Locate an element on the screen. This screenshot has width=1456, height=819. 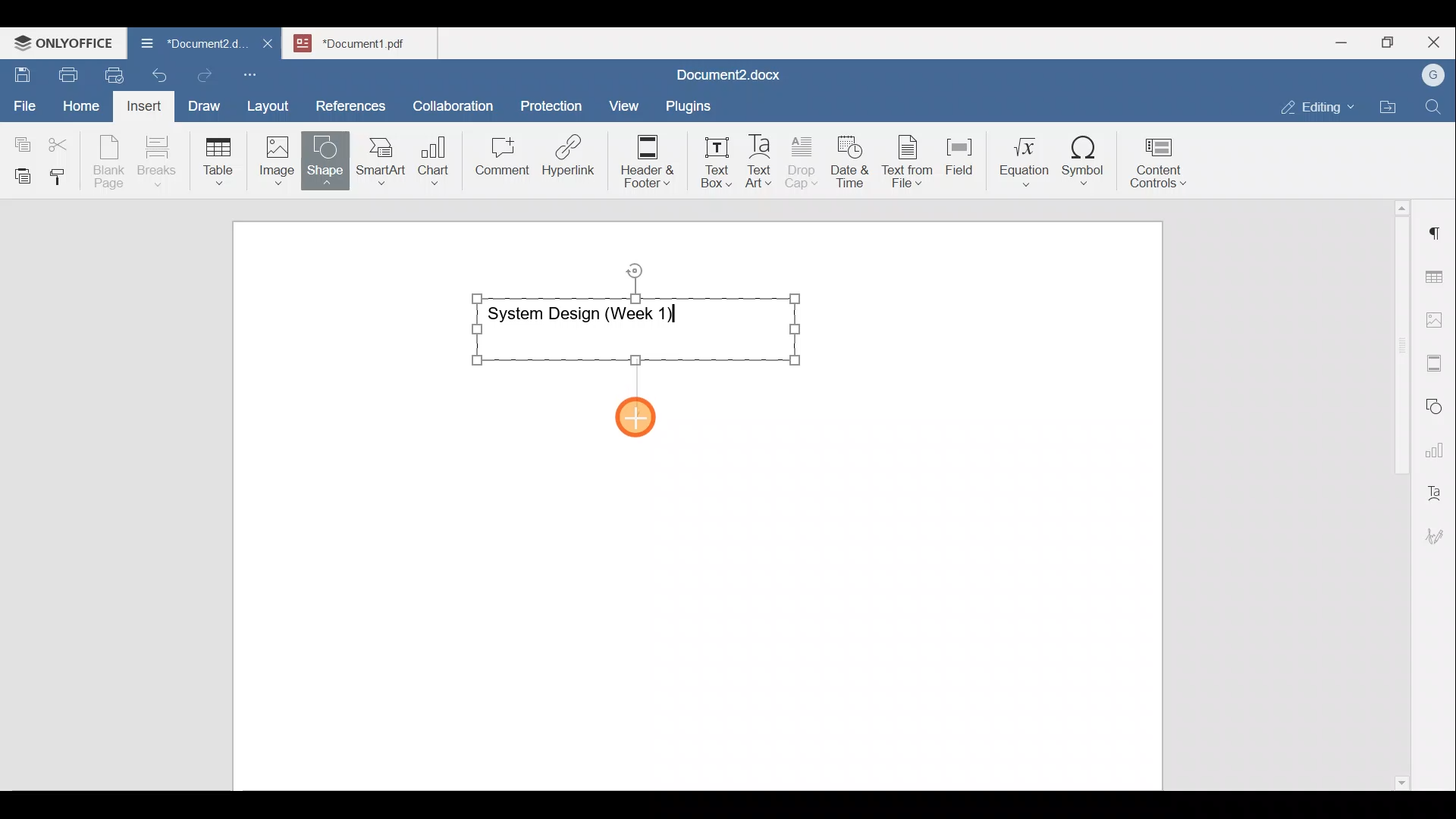
Field is located at coordinates (959, 154).